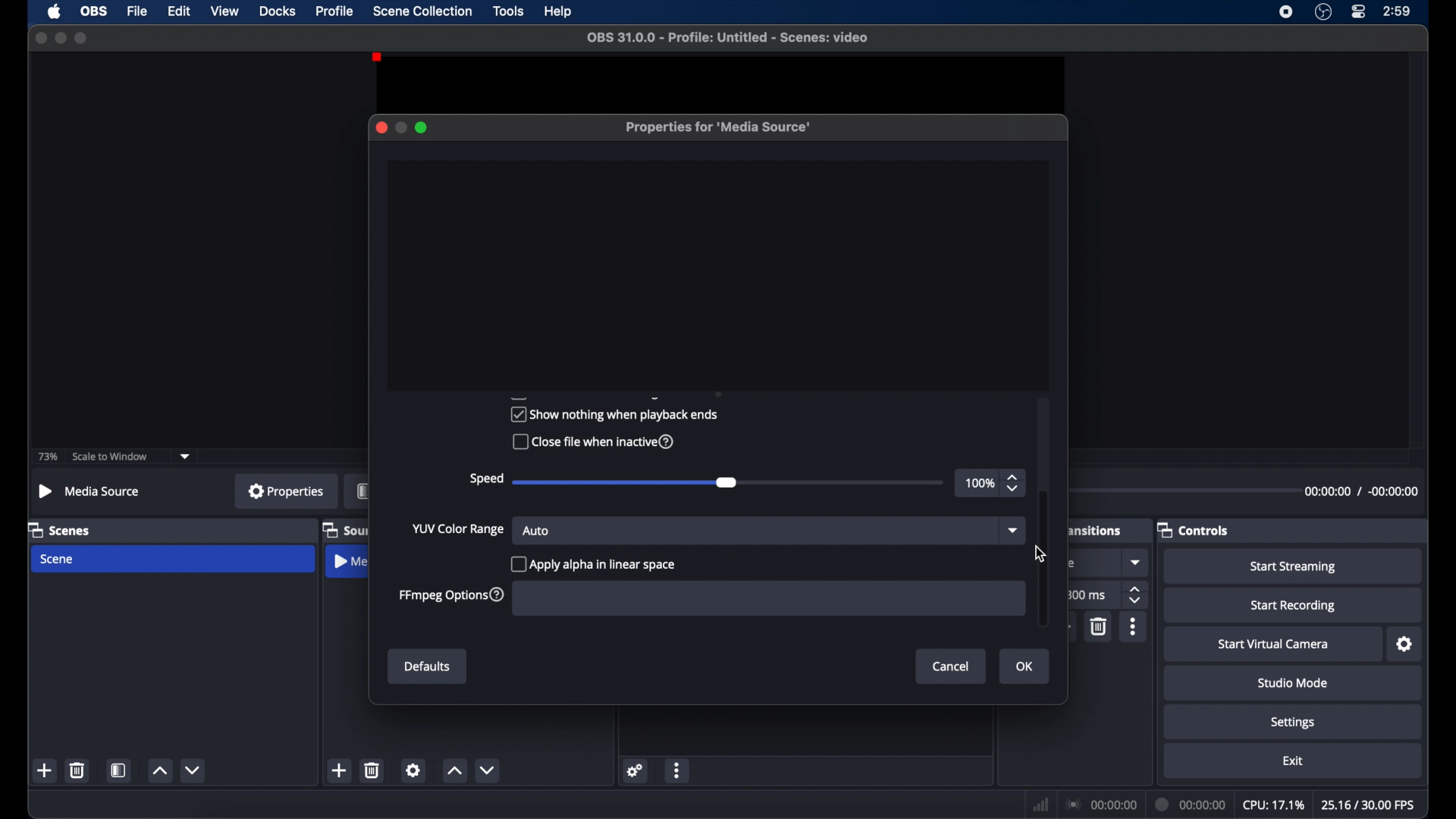  I want to click on ok, so click(1025, 667).